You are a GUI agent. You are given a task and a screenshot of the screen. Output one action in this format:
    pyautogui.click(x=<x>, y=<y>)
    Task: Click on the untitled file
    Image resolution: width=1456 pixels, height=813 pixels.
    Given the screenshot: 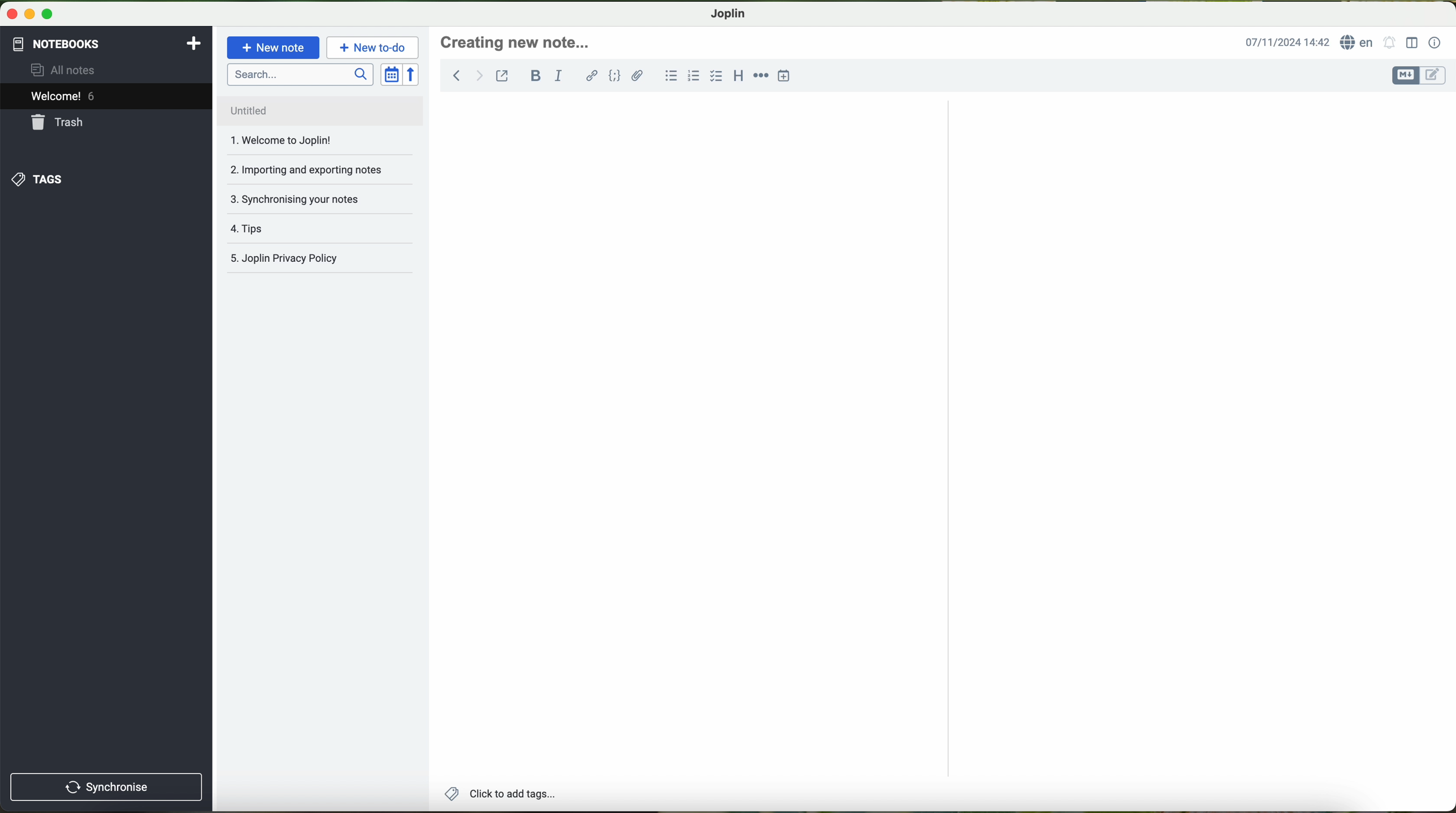 What is the action you would take?
    pyautogui.click(x=315, y=109)
    